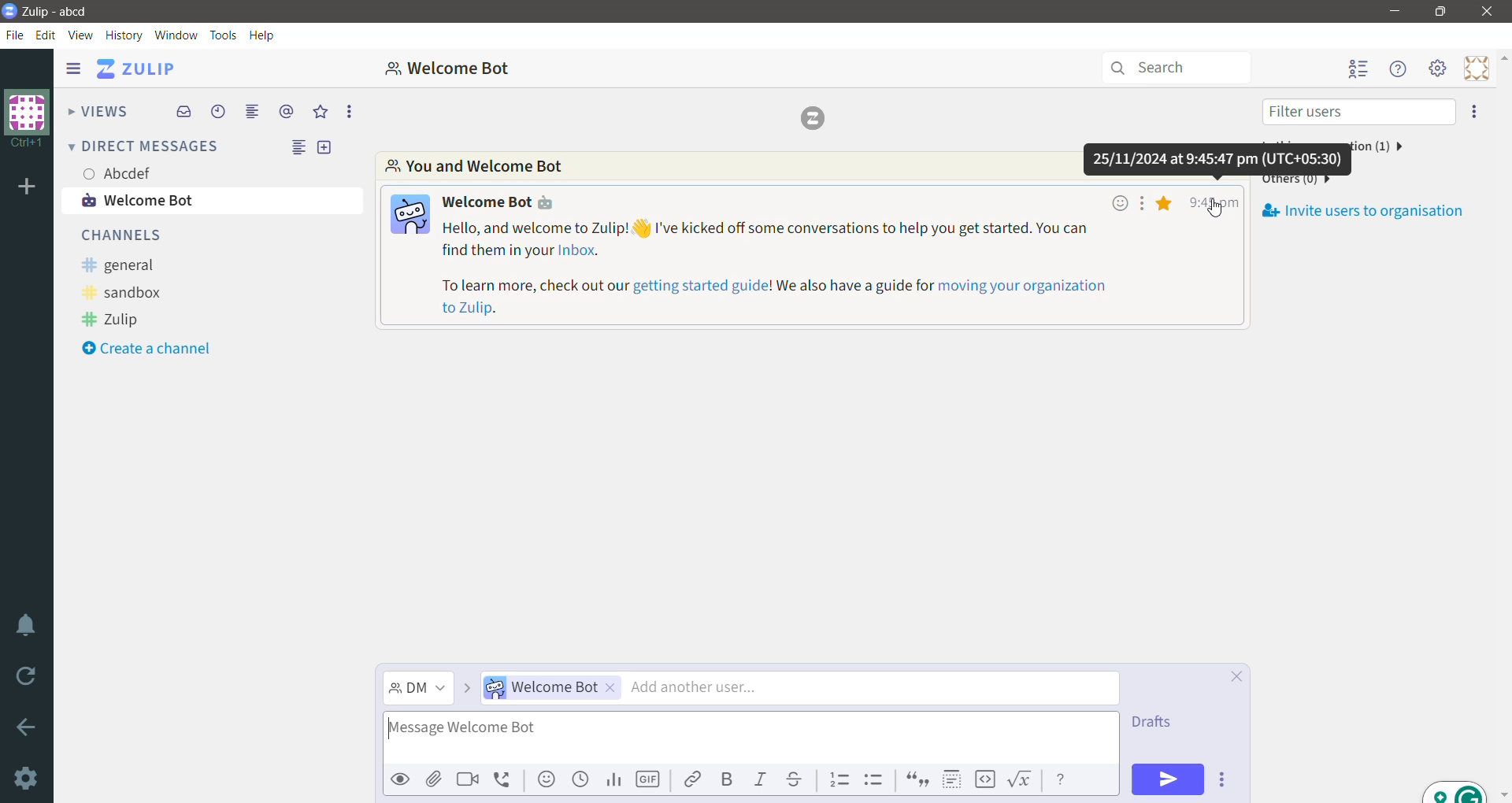 Image resolution: width=1512 pixels, height=803 pixels. I want to click on Strikethrough, so click(796, 779).